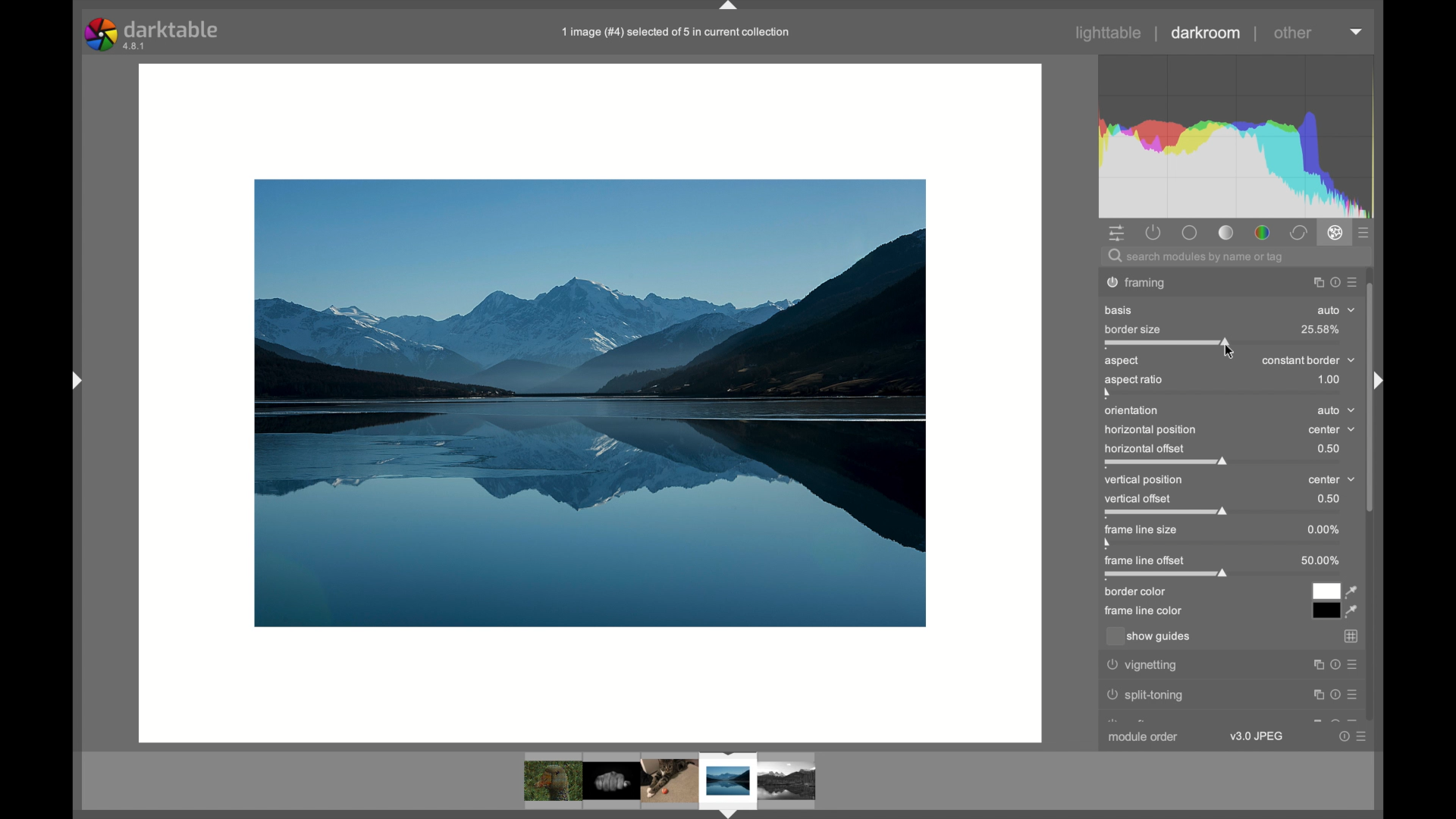  I want to click on drag handle, so click(1374, 380).